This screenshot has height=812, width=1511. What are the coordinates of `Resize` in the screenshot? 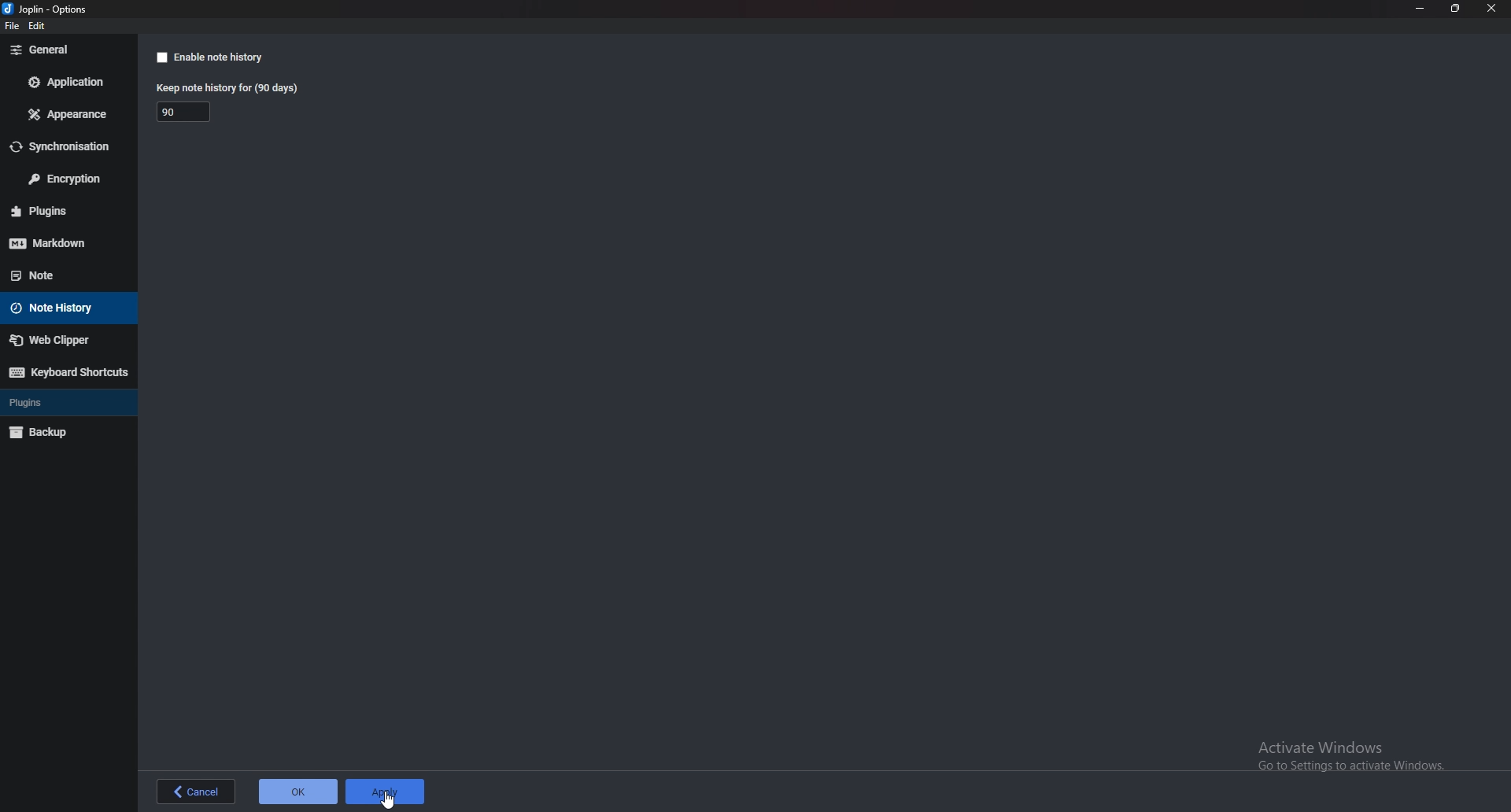 It's located at (1454, 9).